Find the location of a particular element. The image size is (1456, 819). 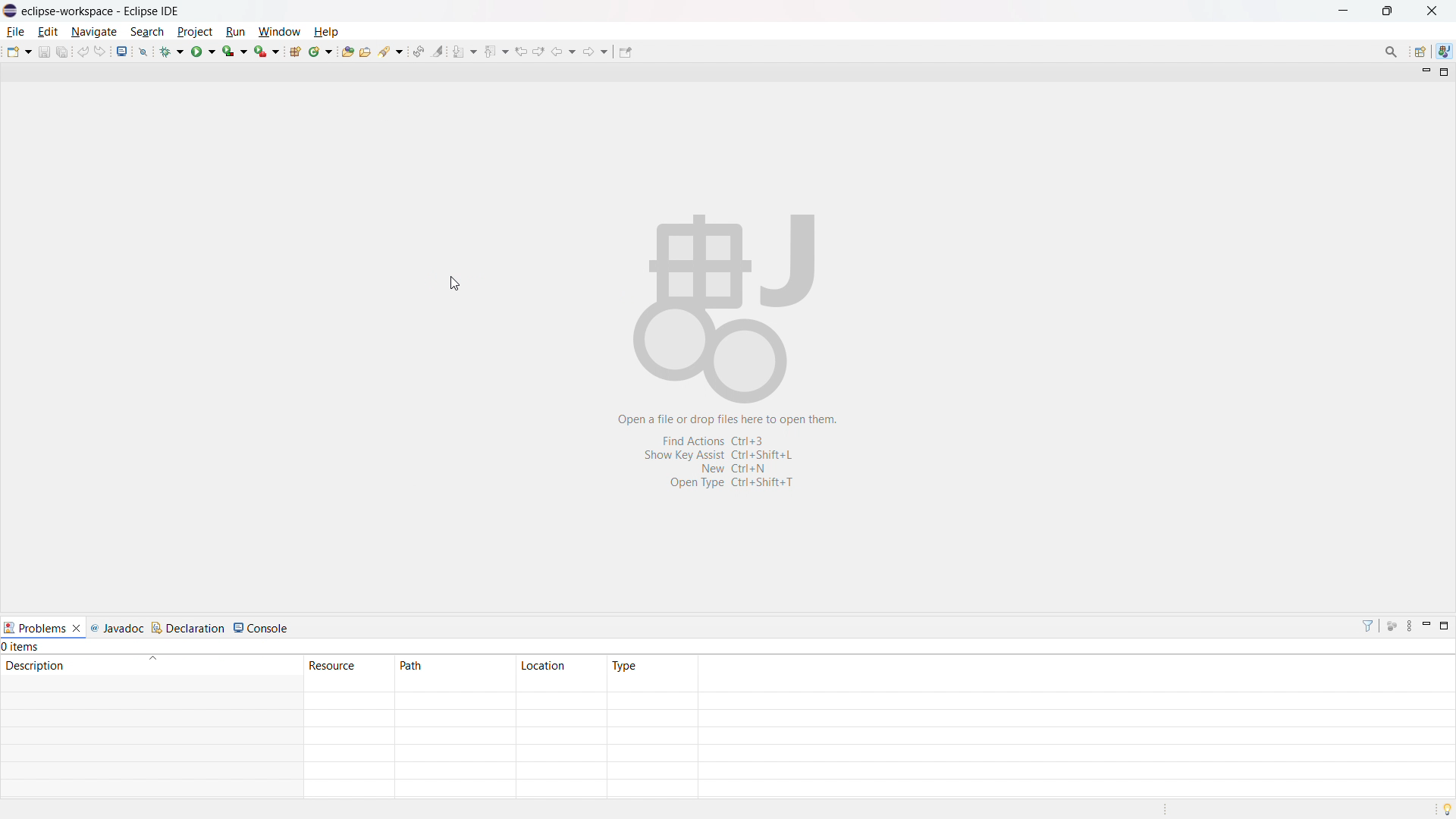

tip of the day is located at coordinates (1444, 808).